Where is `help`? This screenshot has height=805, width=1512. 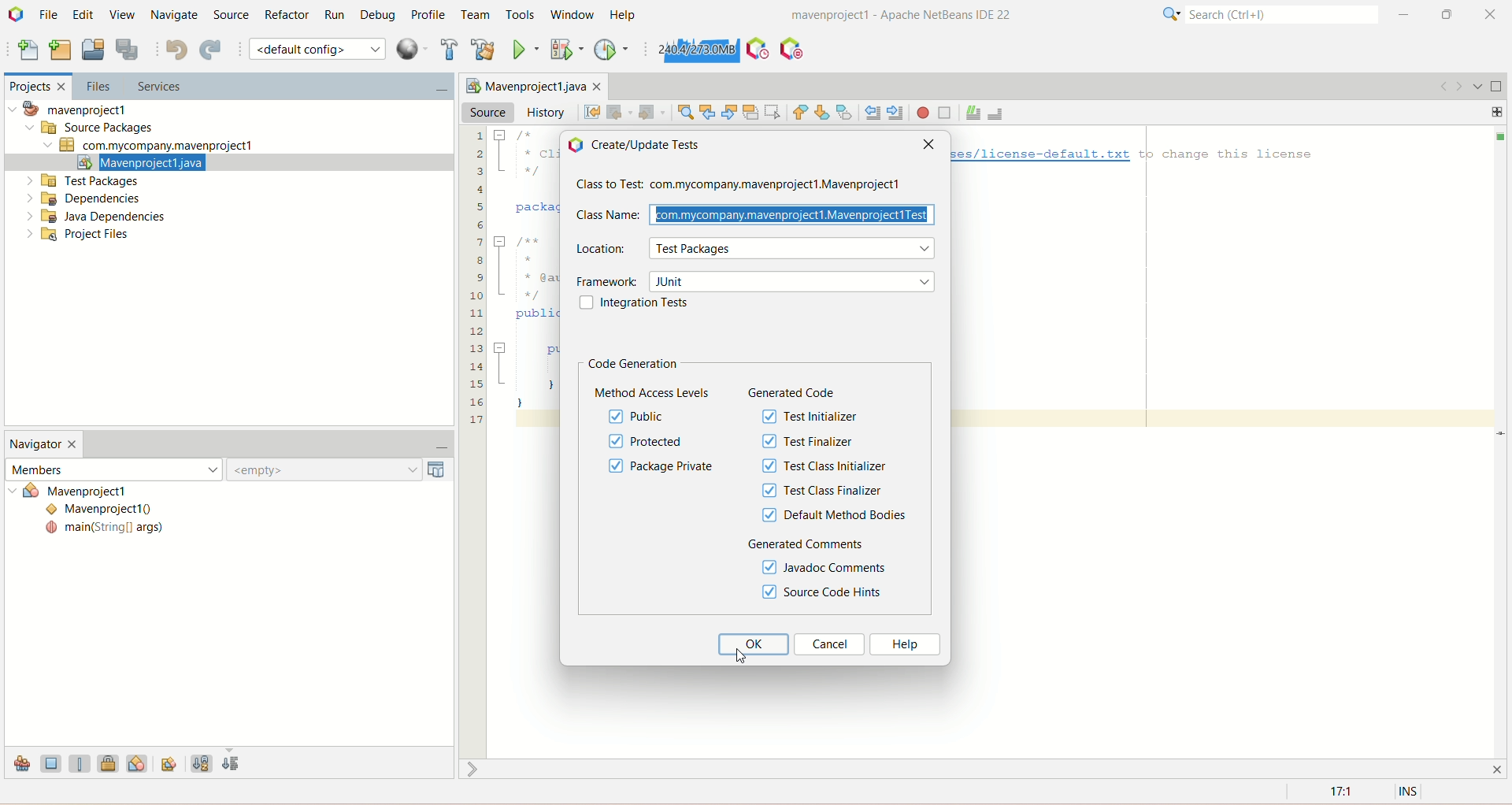 help is located at coordinates (627, 14).